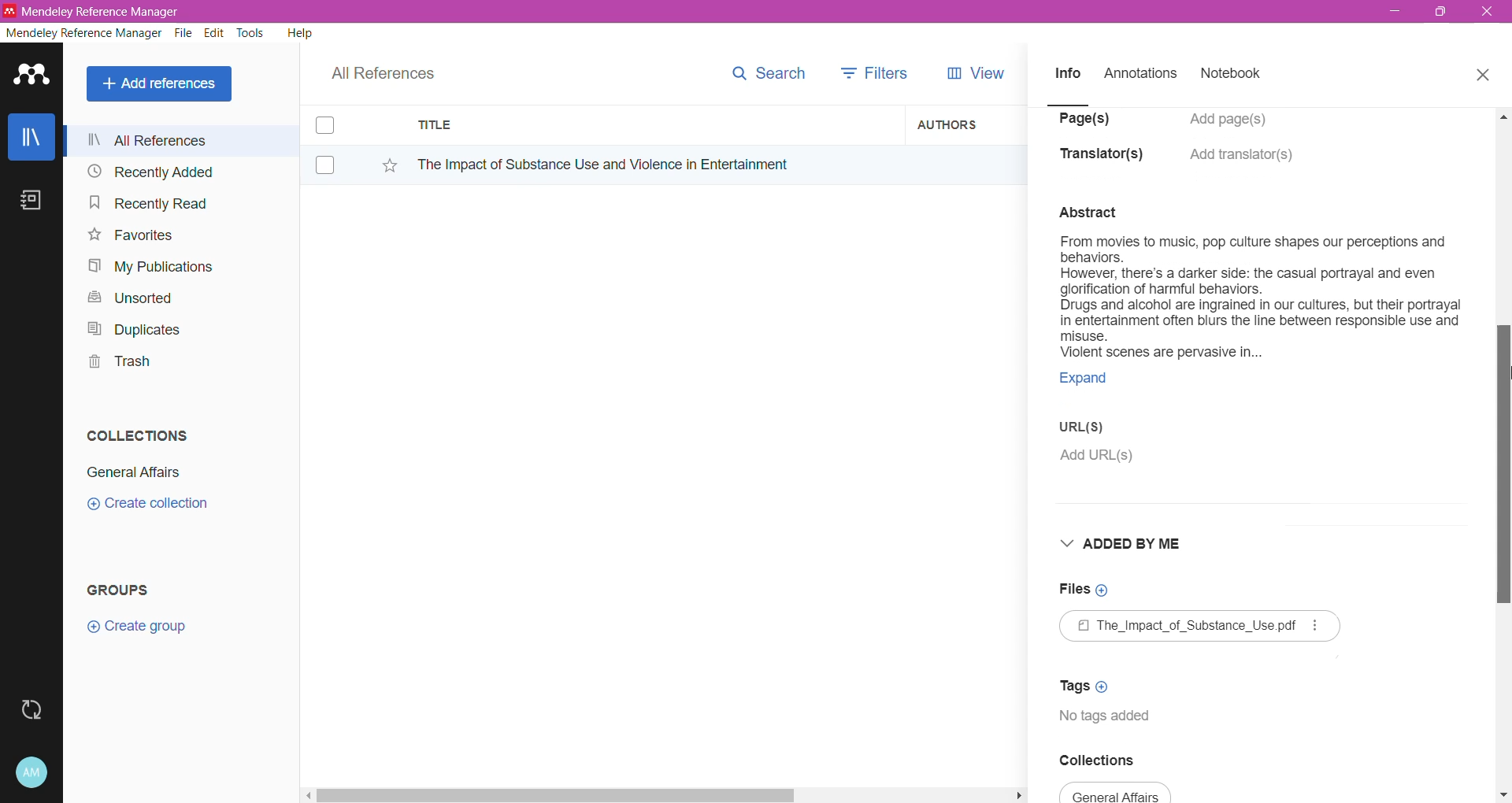  Describe the element at coordinates (1097, 442) in the screenshot. I see `url` at that location.